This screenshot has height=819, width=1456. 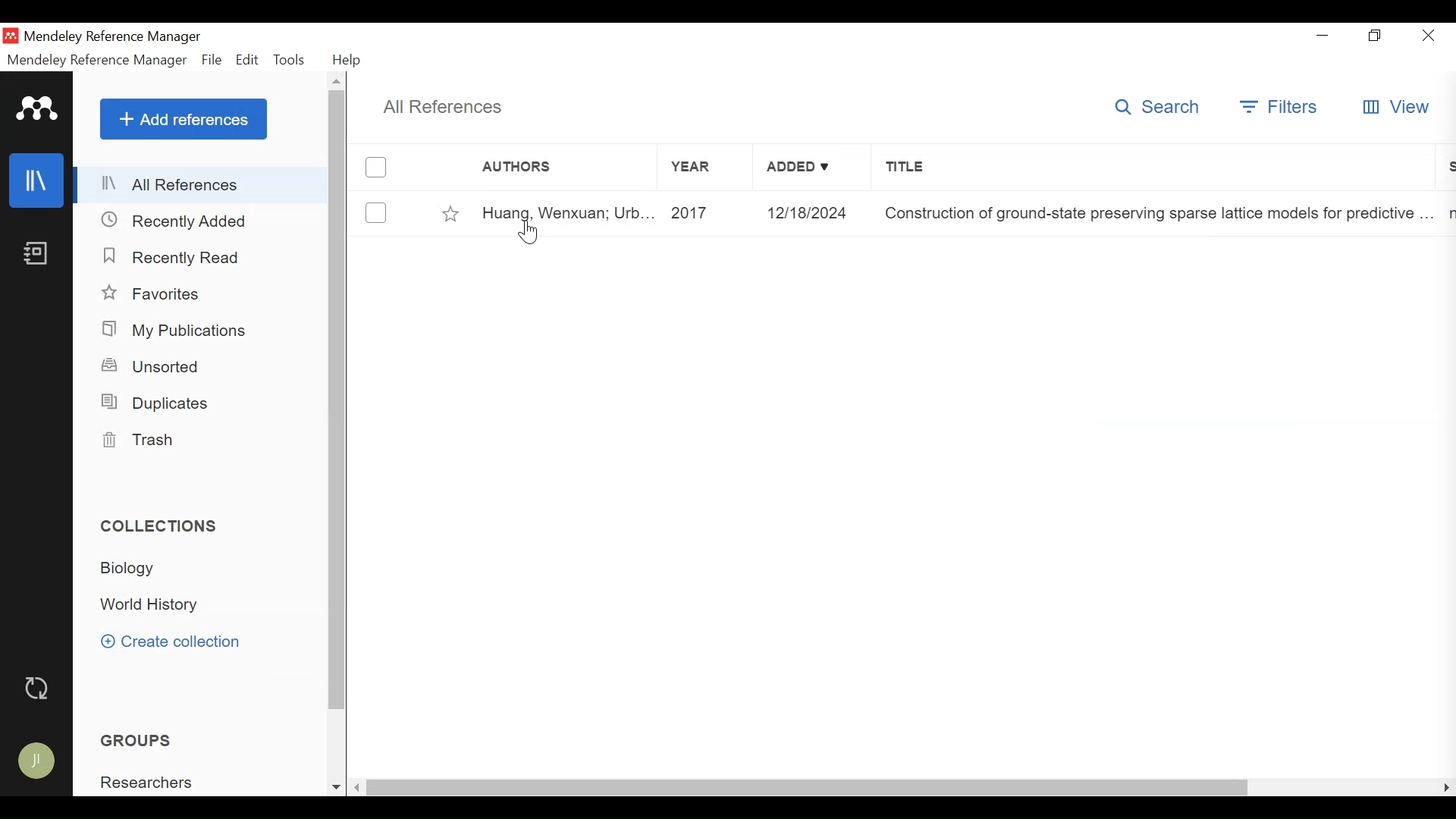 What do you see at coordinates (172, 642) in the screenshot?
I see `Create Collection` at bounding box center [172, 642].